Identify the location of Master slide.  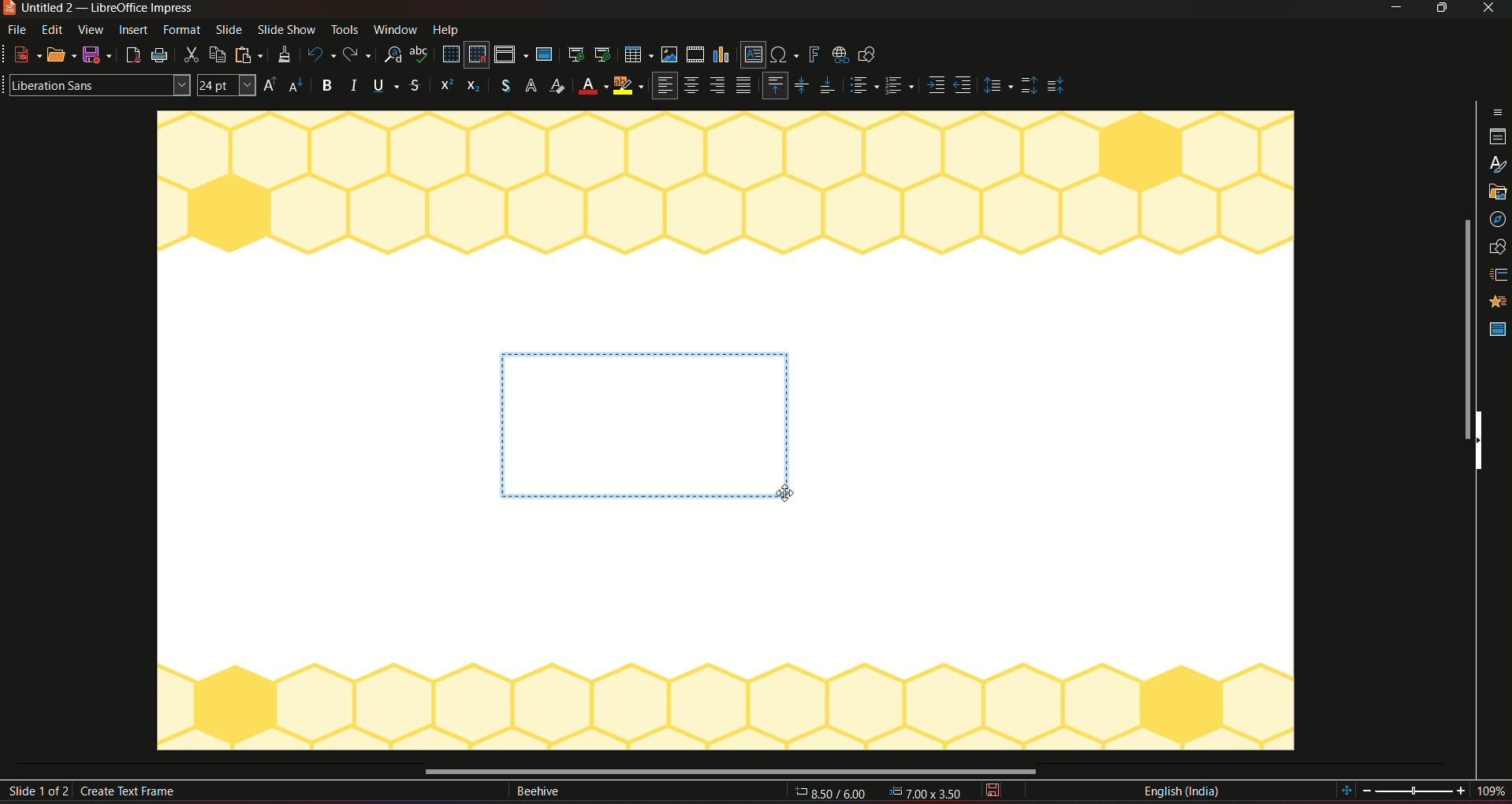
(1496, 330).